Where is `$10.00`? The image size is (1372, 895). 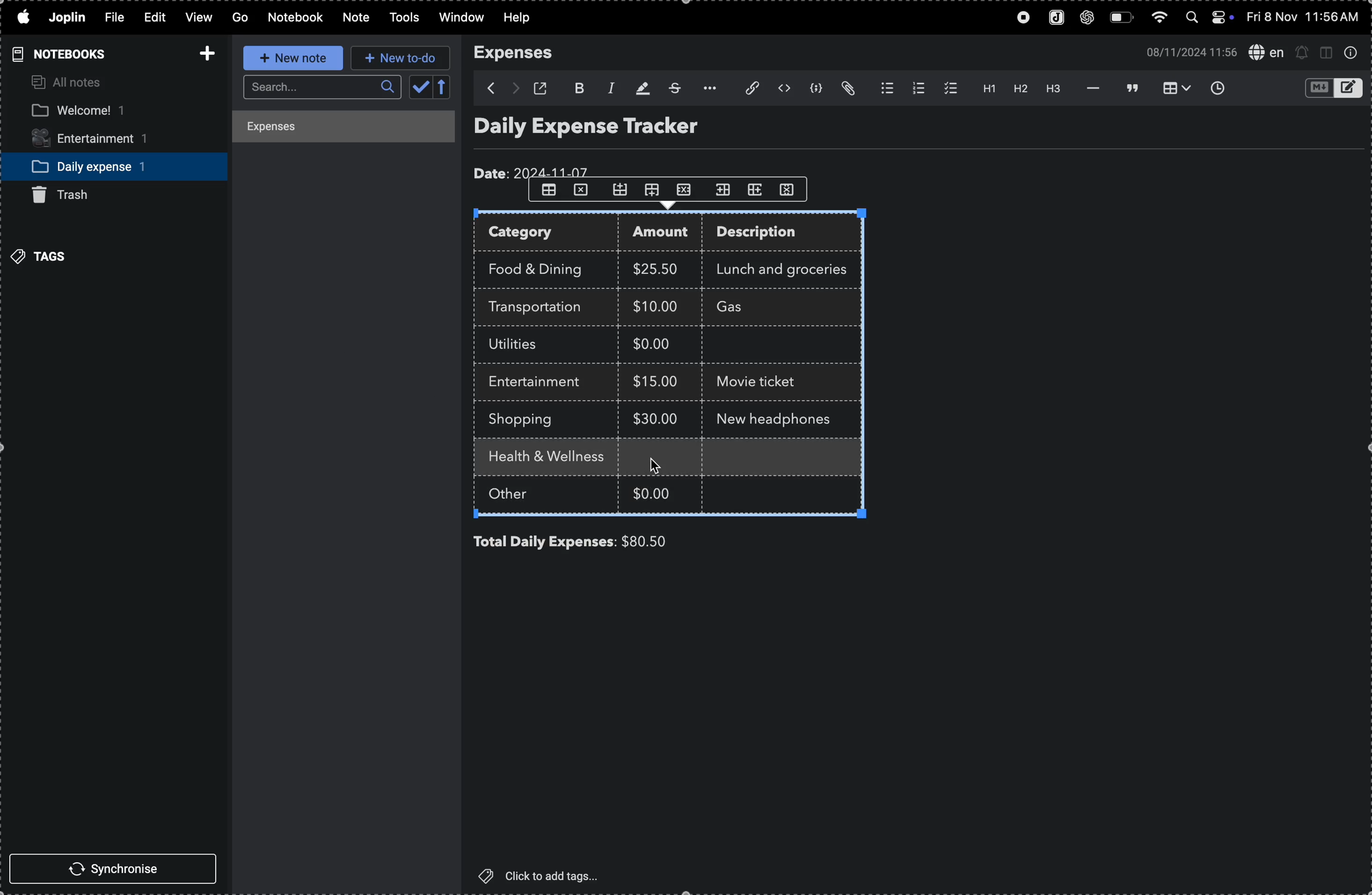
$10.00 is located at coordinates (655, 306).